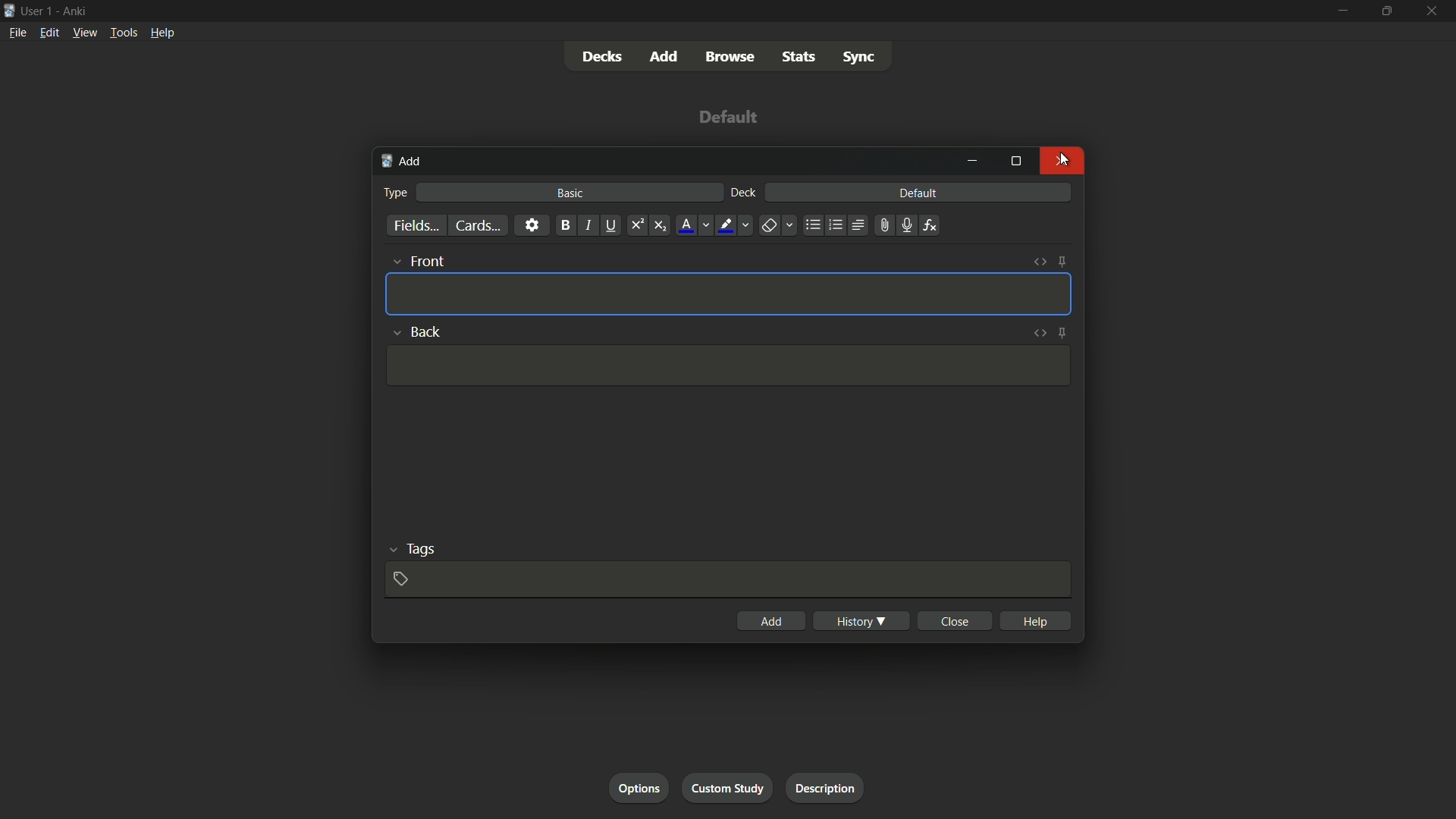 The height and width of the screenshot is (819, 1456). Describe the element at coordinates (778, 225) in the screenshot. I see `remove formatting` at that location.